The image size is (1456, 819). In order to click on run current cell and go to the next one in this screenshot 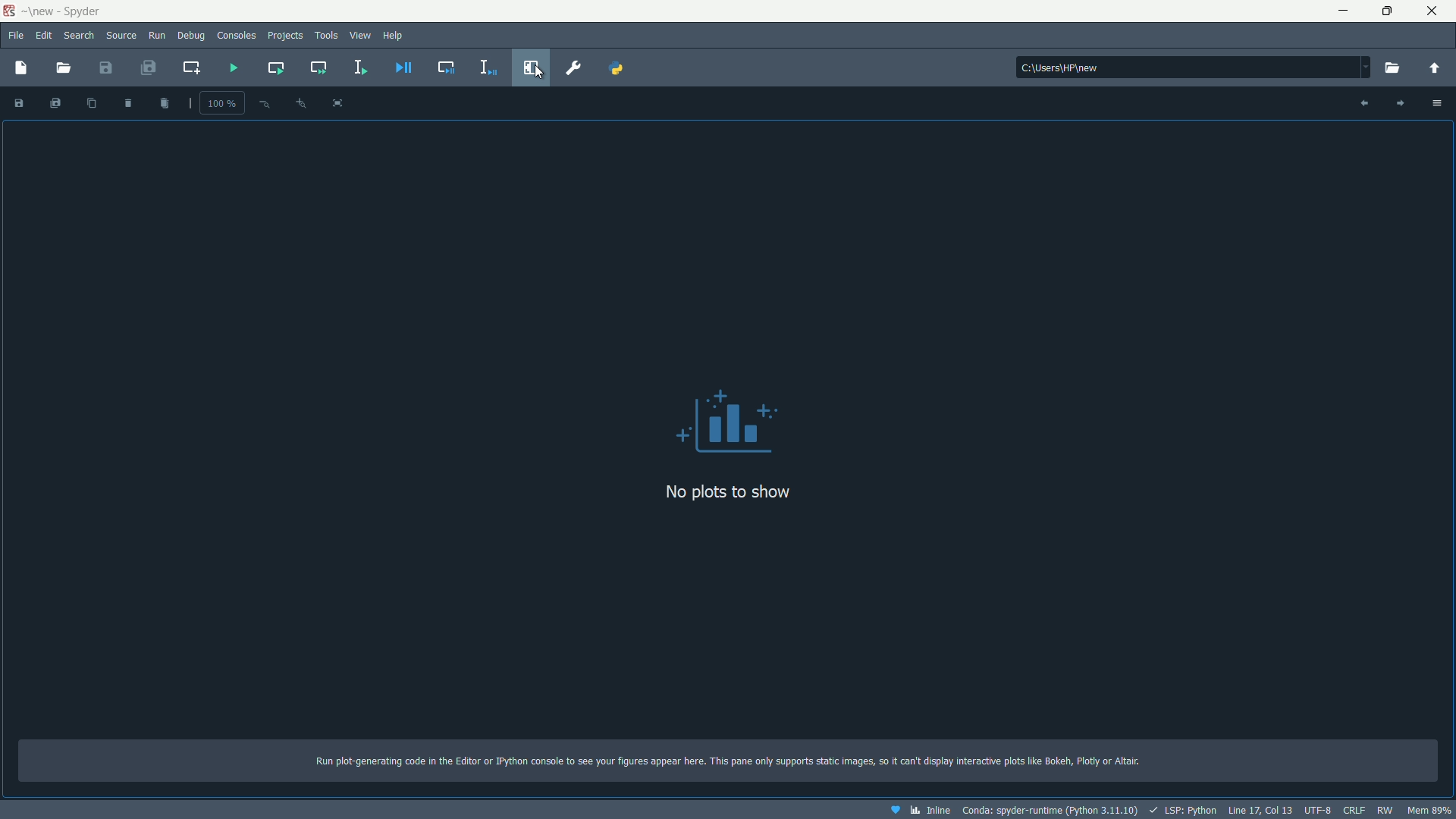, I will do `click(317, 67)`.